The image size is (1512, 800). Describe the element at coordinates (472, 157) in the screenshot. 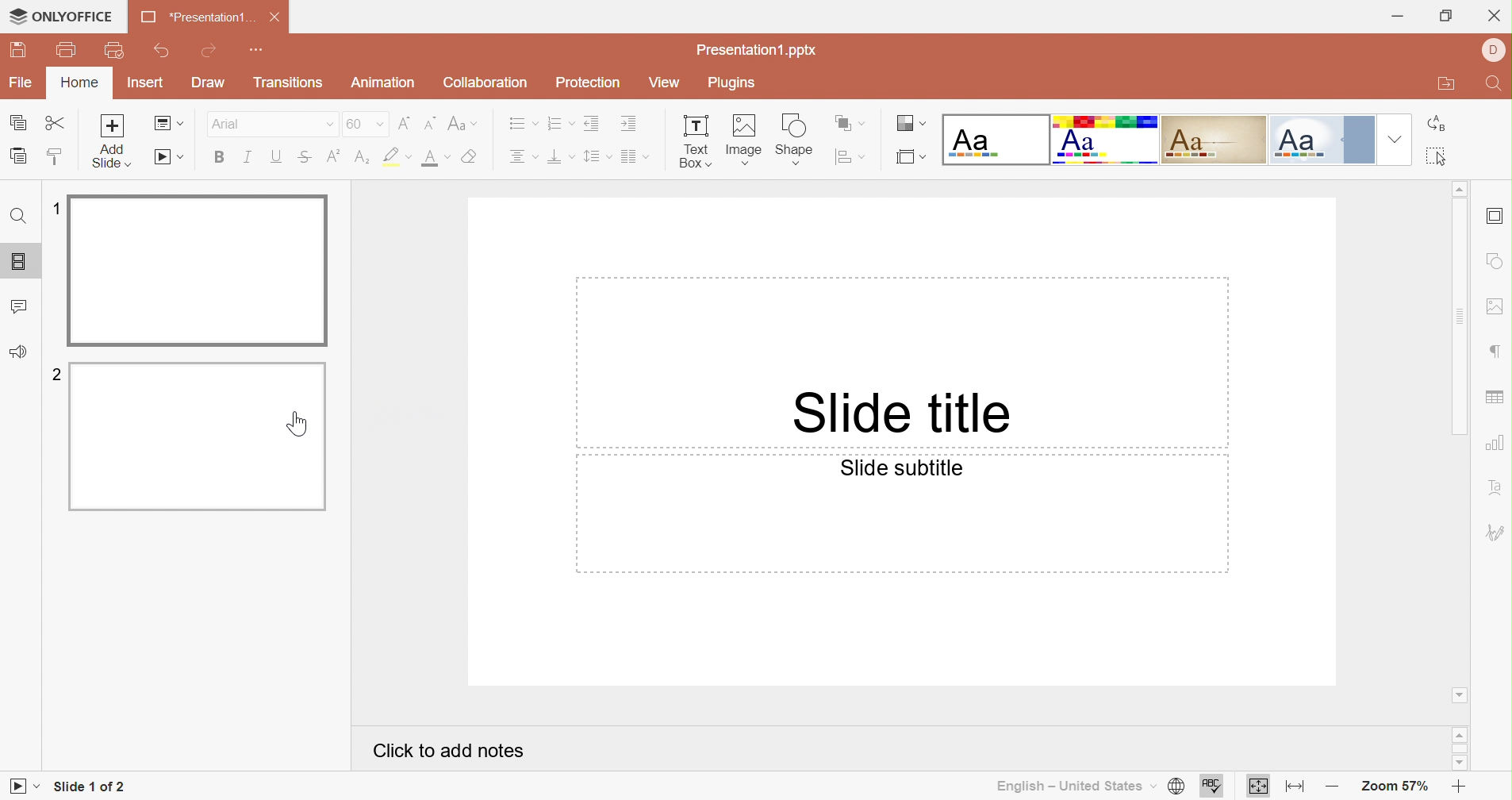

I see `Clear` at that location.